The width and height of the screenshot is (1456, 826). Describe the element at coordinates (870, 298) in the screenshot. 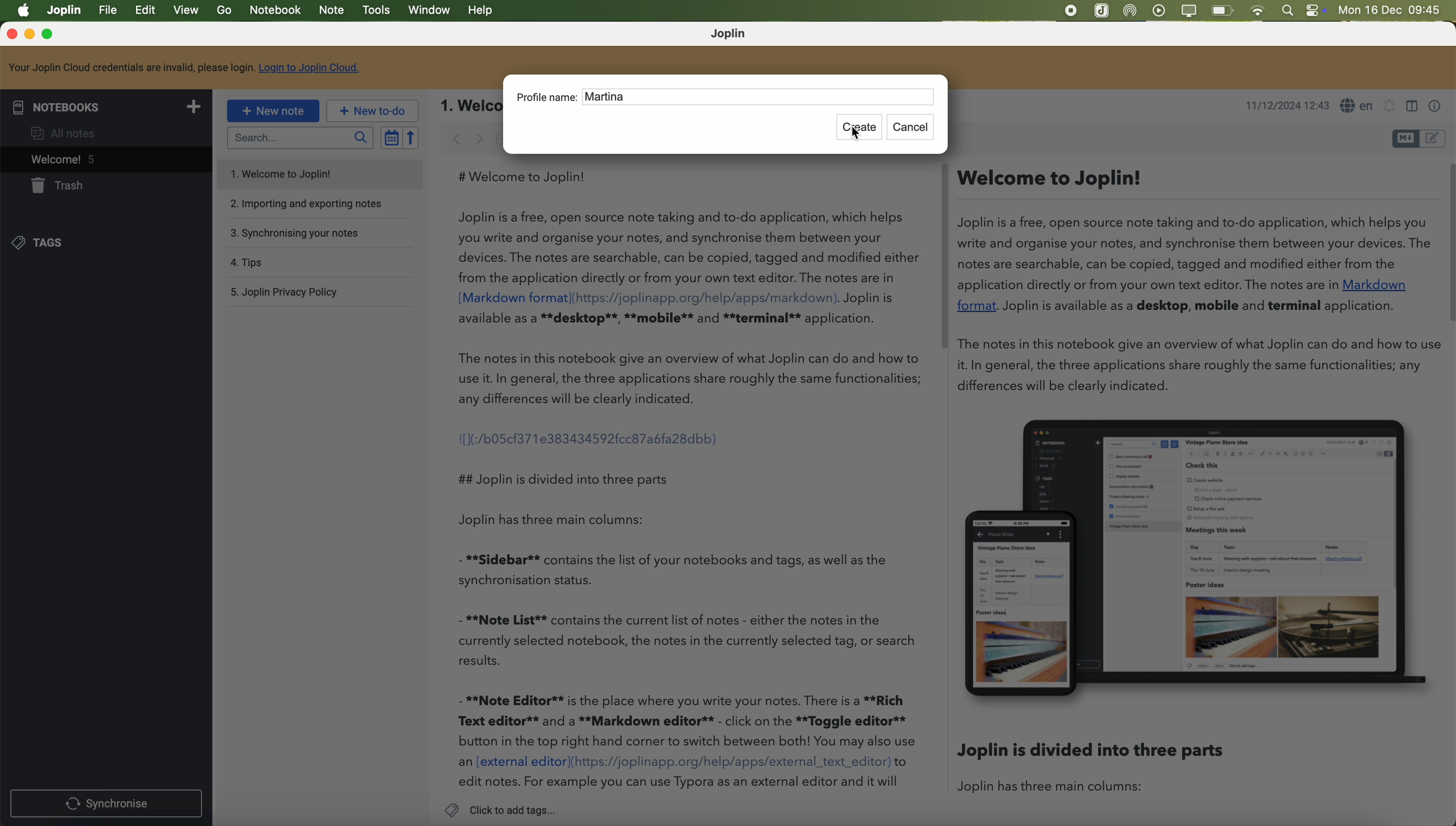

I see `Joplin is` at that location.